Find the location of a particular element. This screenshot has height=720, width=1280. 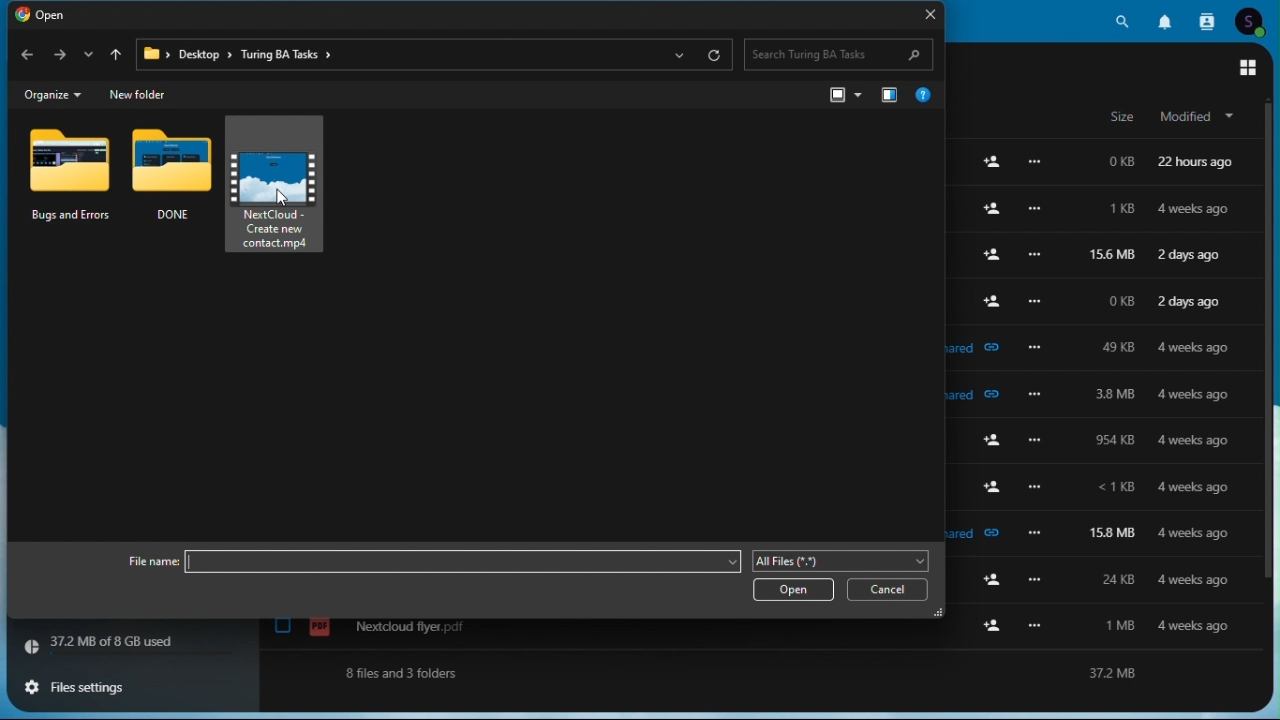

24 kb is located at coordinates (1113, 579).